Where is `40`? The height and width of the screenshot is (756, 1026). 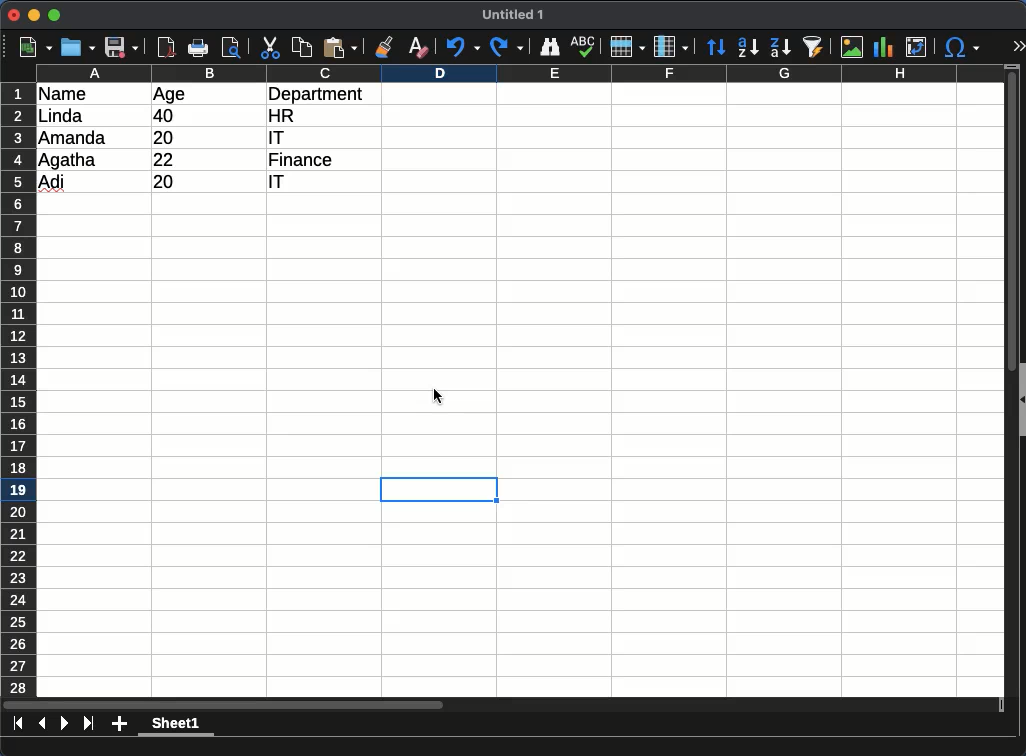
40 is located at coordinates (164, 116).